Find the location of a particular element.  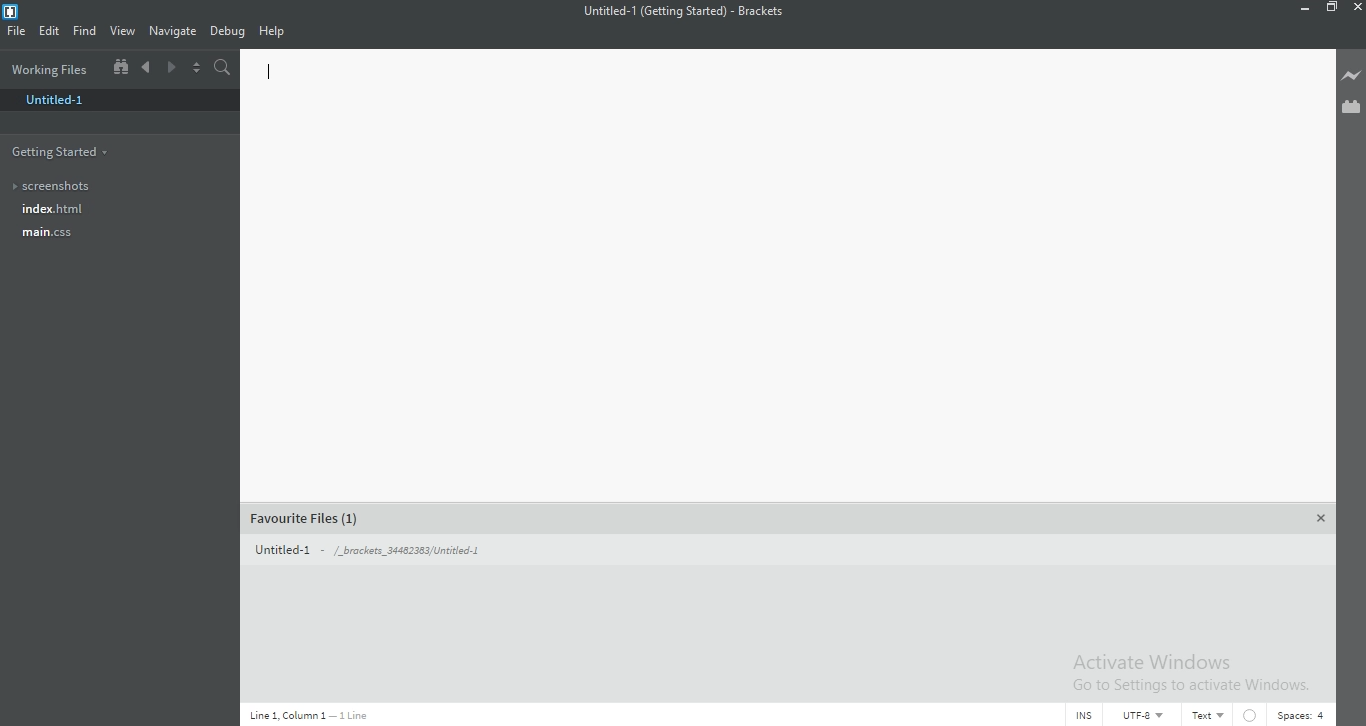

main.css is located at coordinates (45, 235).